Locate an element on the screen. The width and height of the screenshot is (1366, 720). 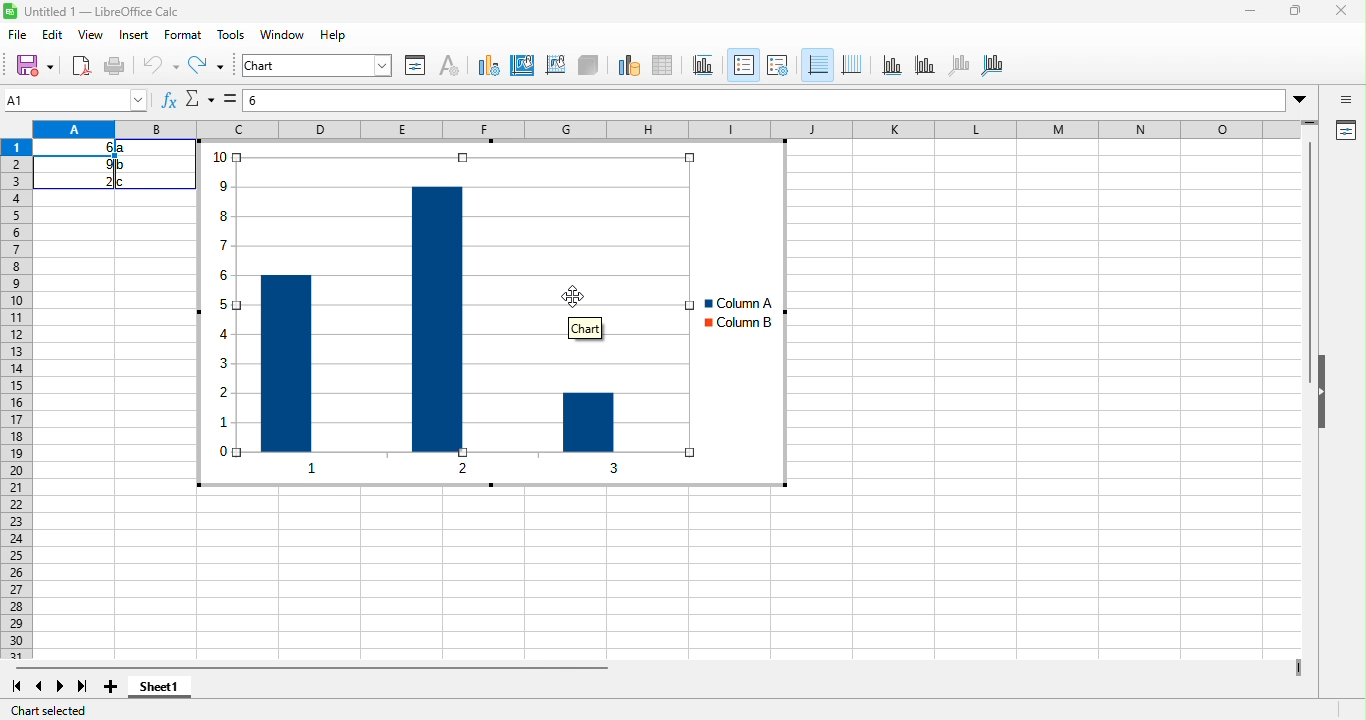
chart  is located at coordinates (316, 66).